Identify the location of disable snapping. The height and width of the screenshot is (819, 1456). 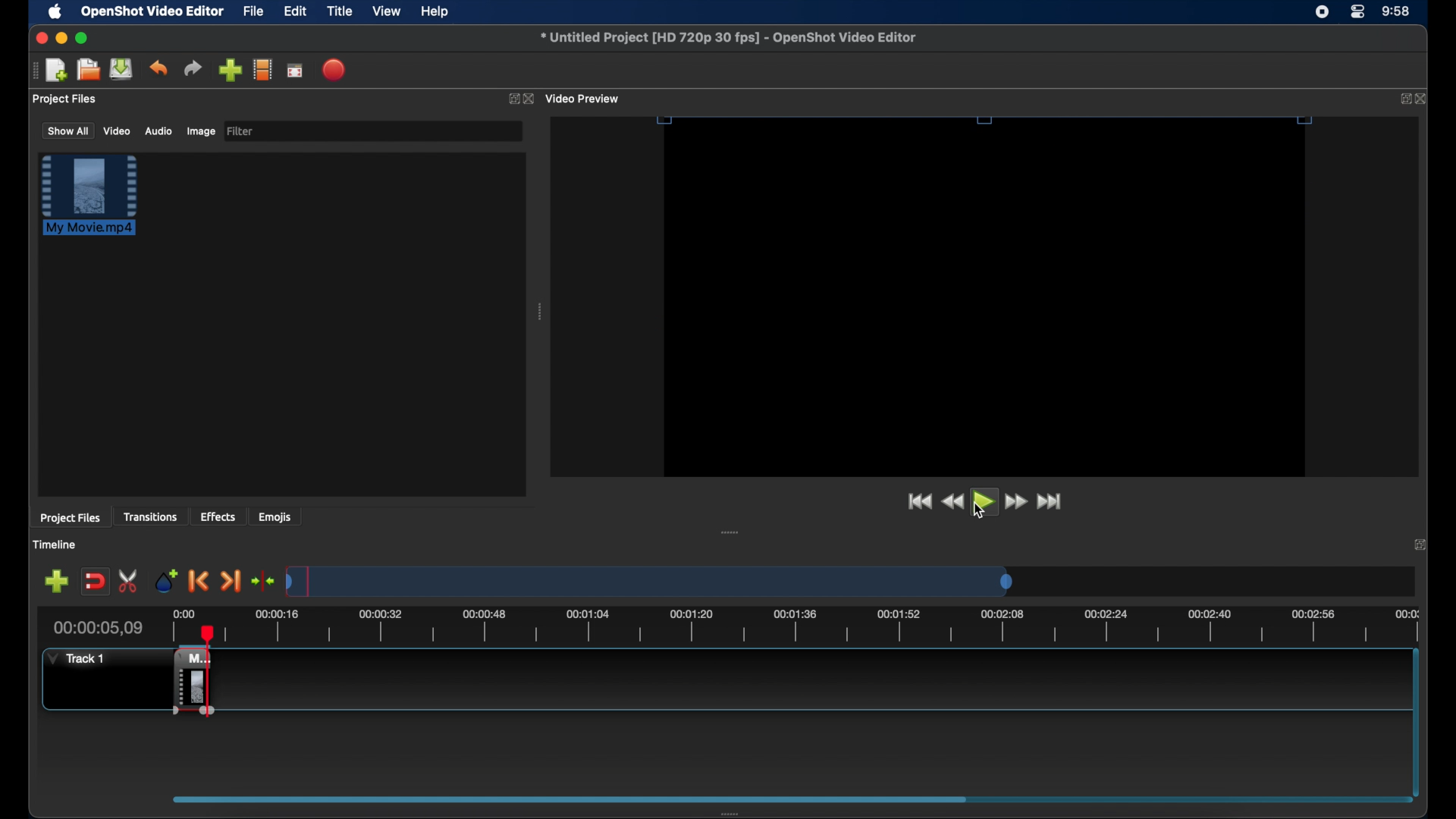
(95, 582).